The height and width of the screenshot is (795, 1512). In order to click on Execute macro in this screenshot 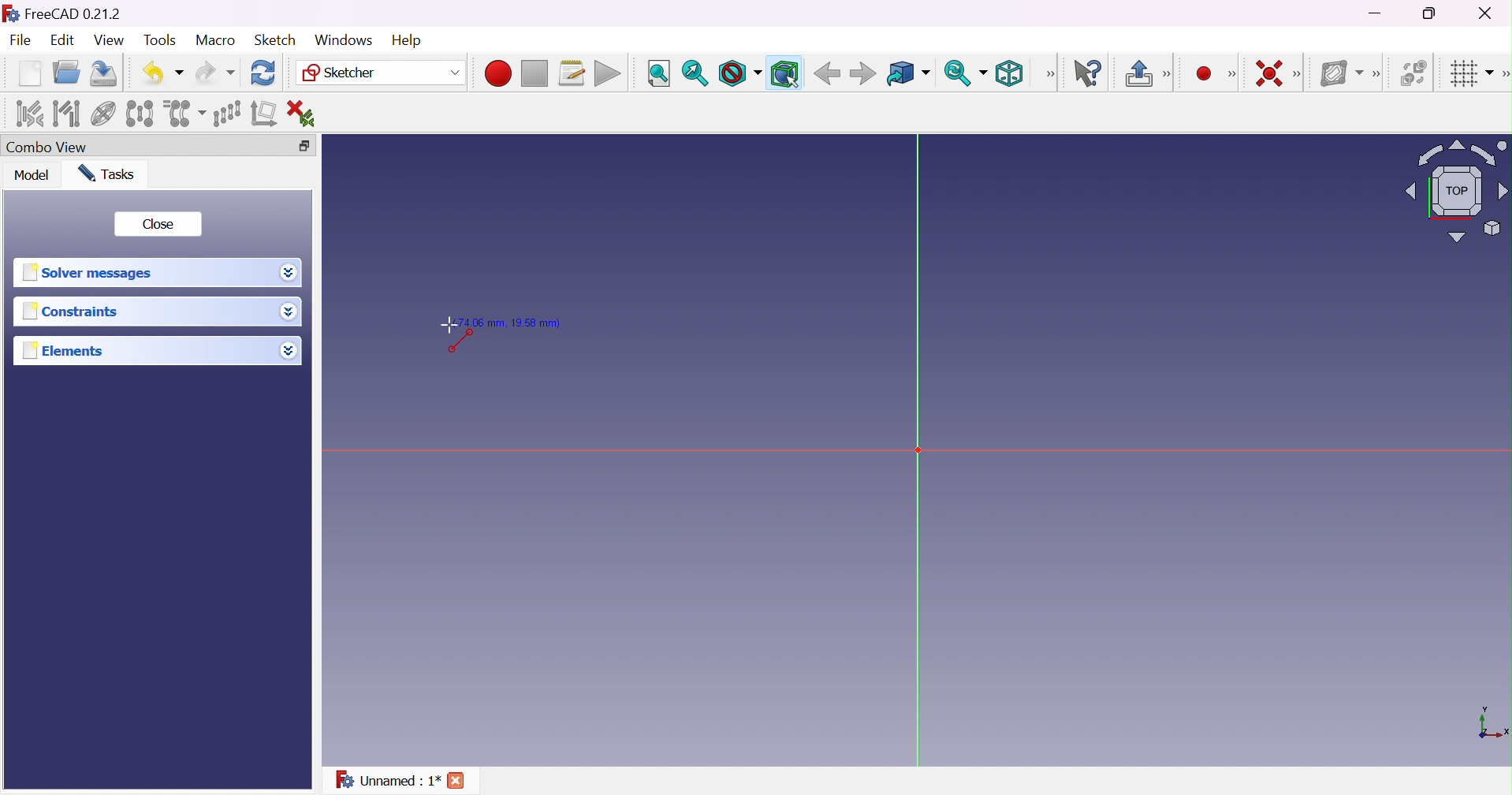, I will do `click(608, 73)`.